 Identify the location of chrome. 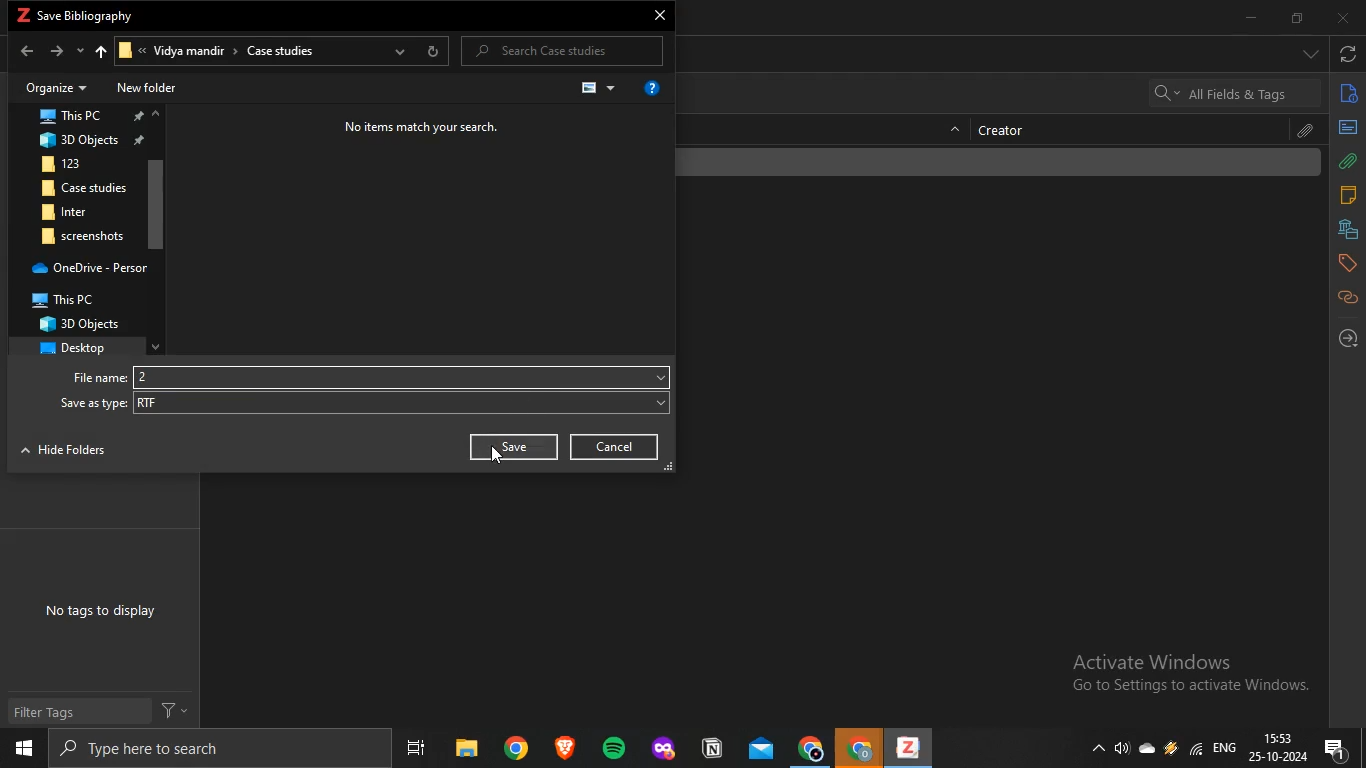
(516, 747).